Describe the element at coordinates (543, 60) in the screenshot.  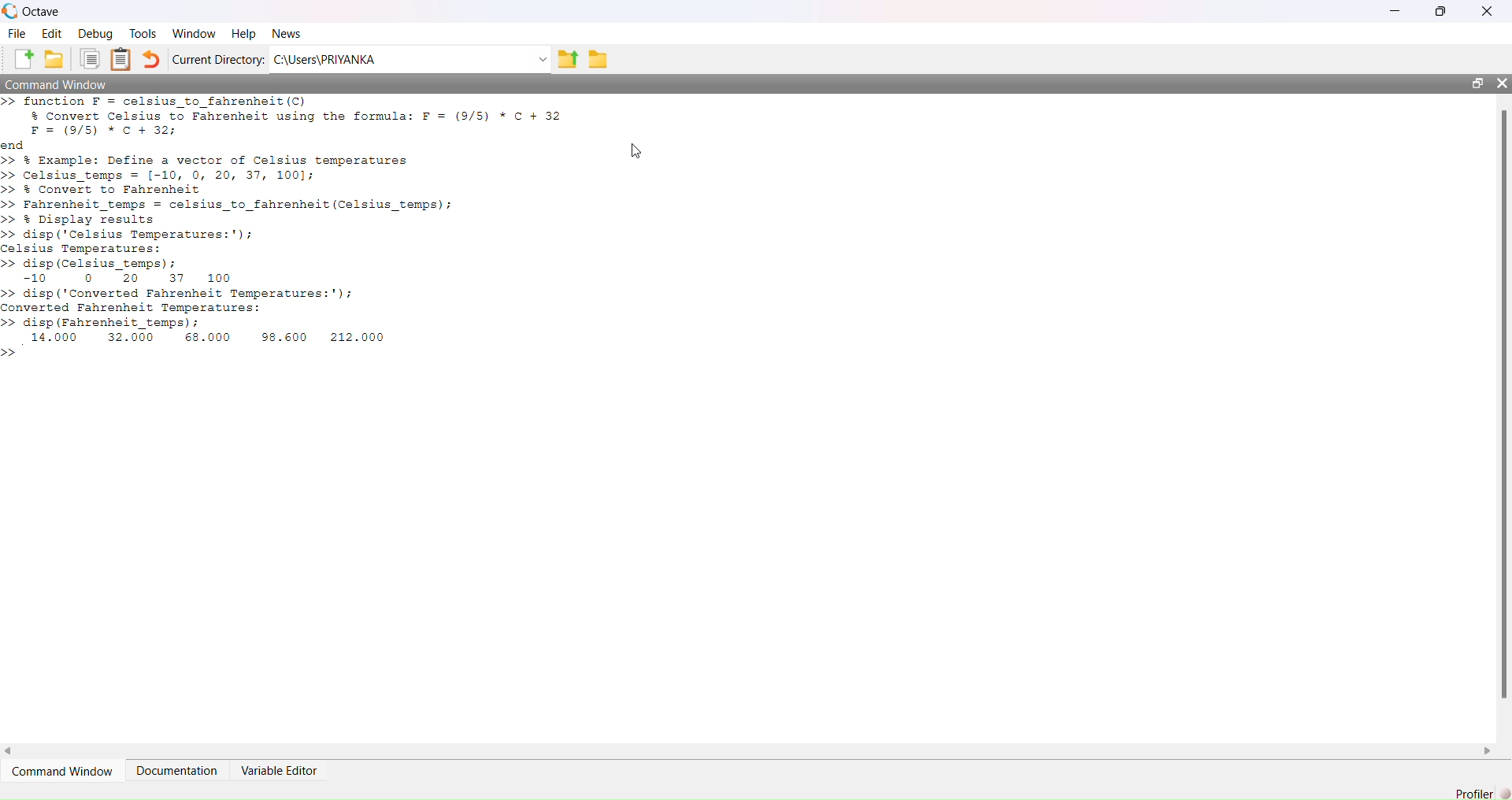
I see `Enter directory name` at that location.